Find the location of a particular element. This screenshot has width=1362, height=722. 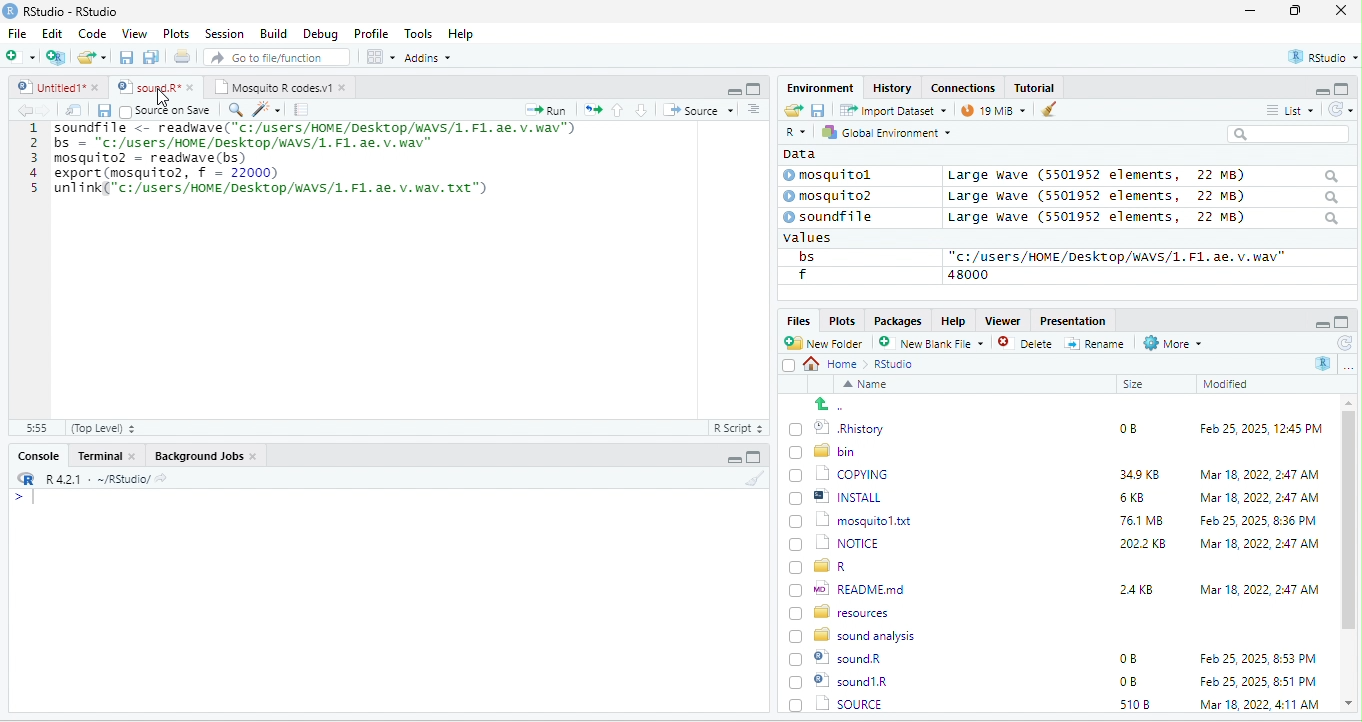

Code is located at coordinates (93, 33).